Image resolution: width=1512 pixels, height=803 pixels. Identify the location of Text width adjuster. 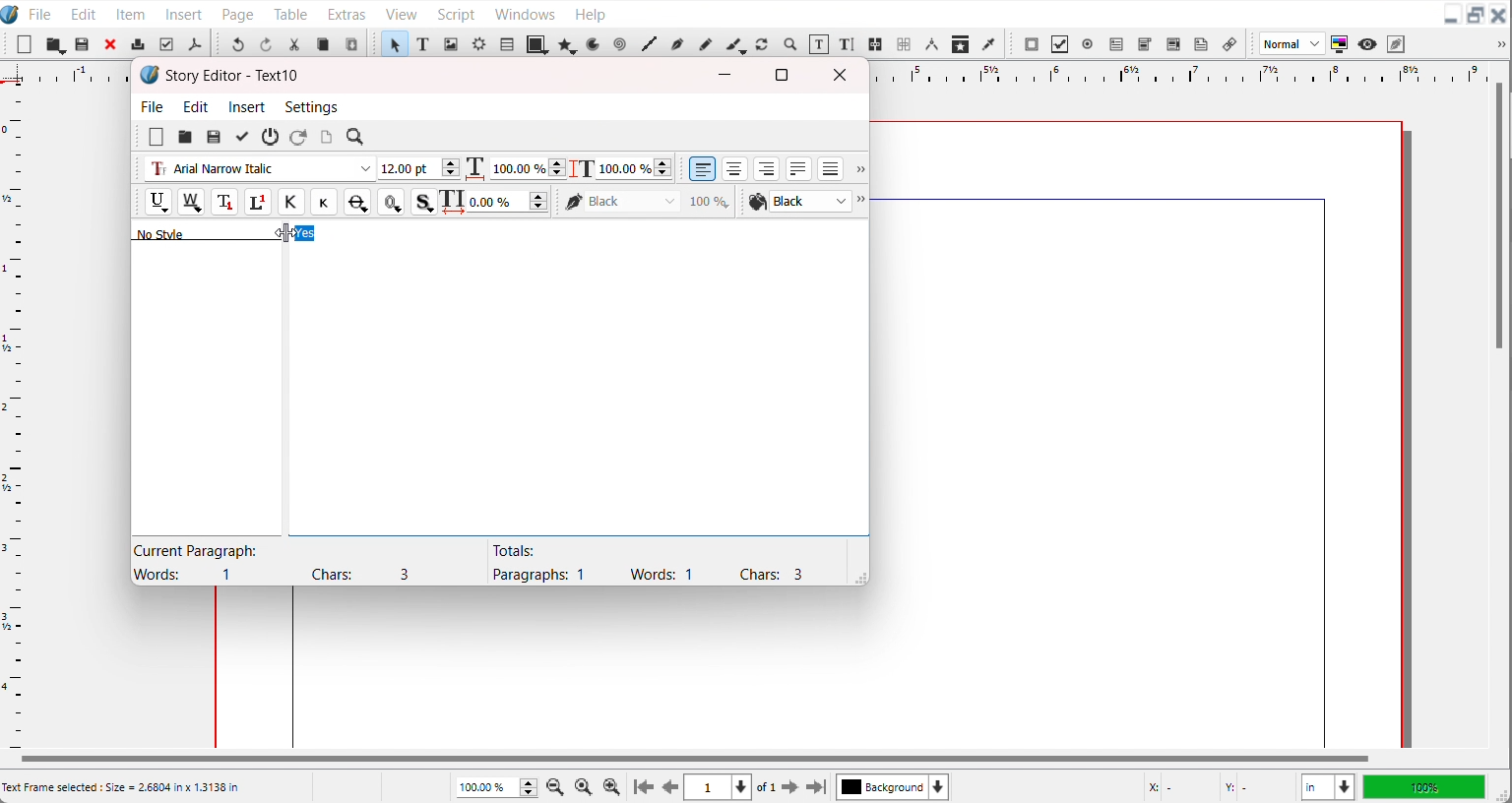
(528, 168).